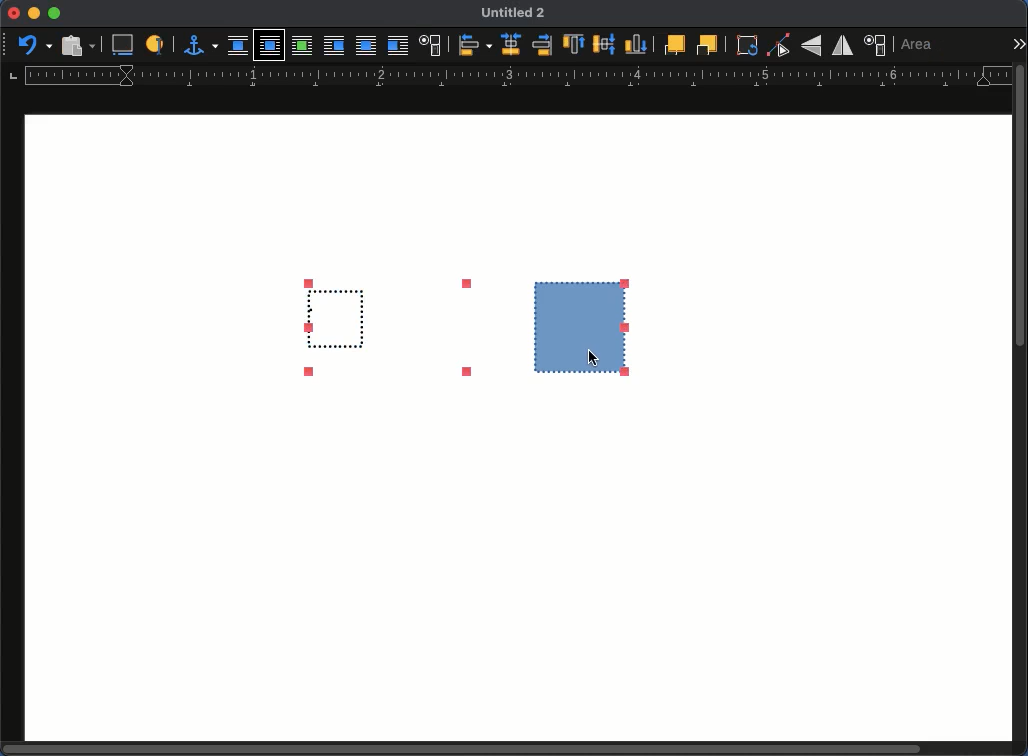 The width and height of the screenshot is (1028, 756). Describe the element at coordinates (79, 45) in the screenshot. I see `paste` at that location.